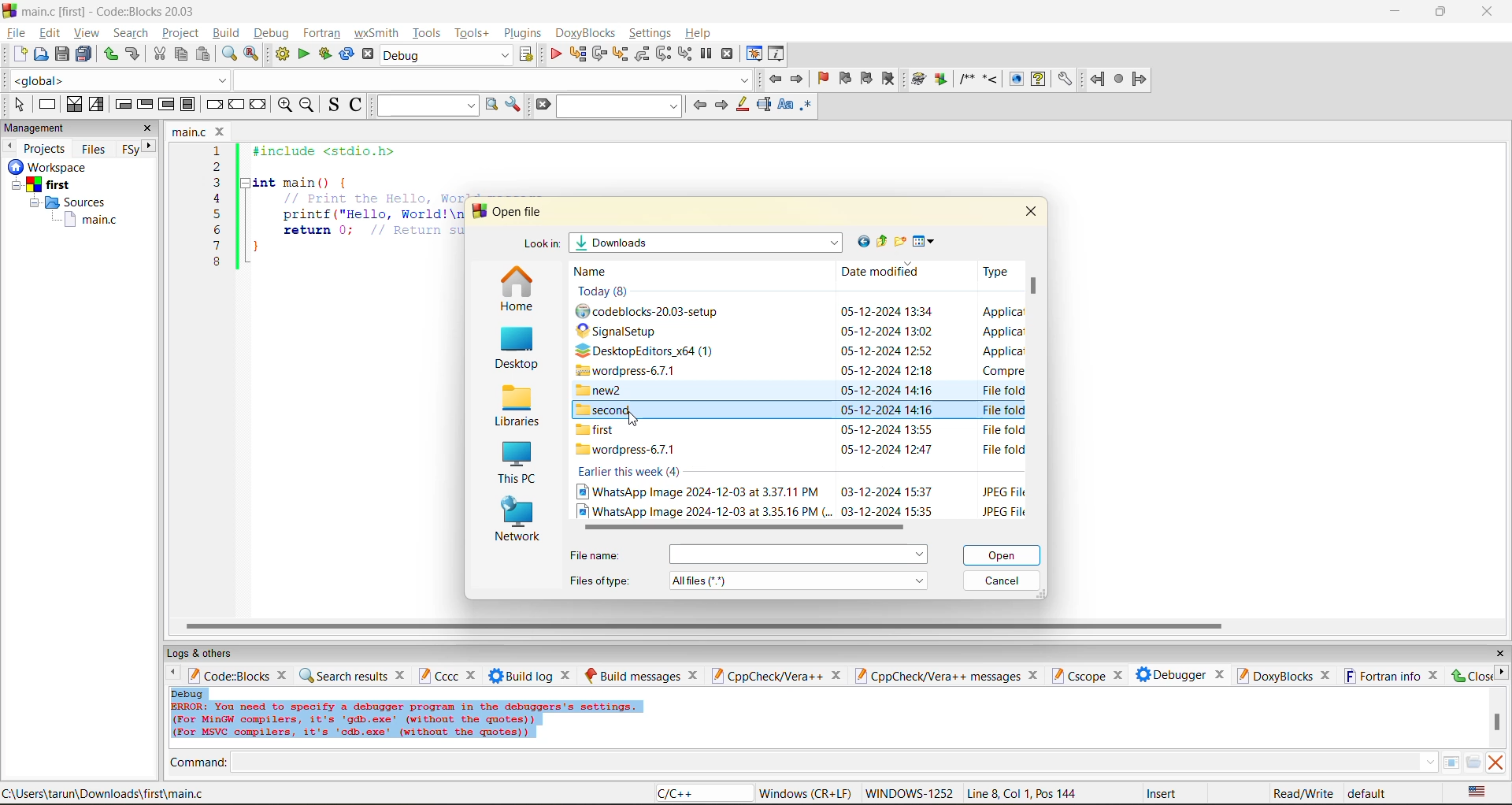 This screenshot has width=1512, height=805. I want to click on project, so click(180, 32).